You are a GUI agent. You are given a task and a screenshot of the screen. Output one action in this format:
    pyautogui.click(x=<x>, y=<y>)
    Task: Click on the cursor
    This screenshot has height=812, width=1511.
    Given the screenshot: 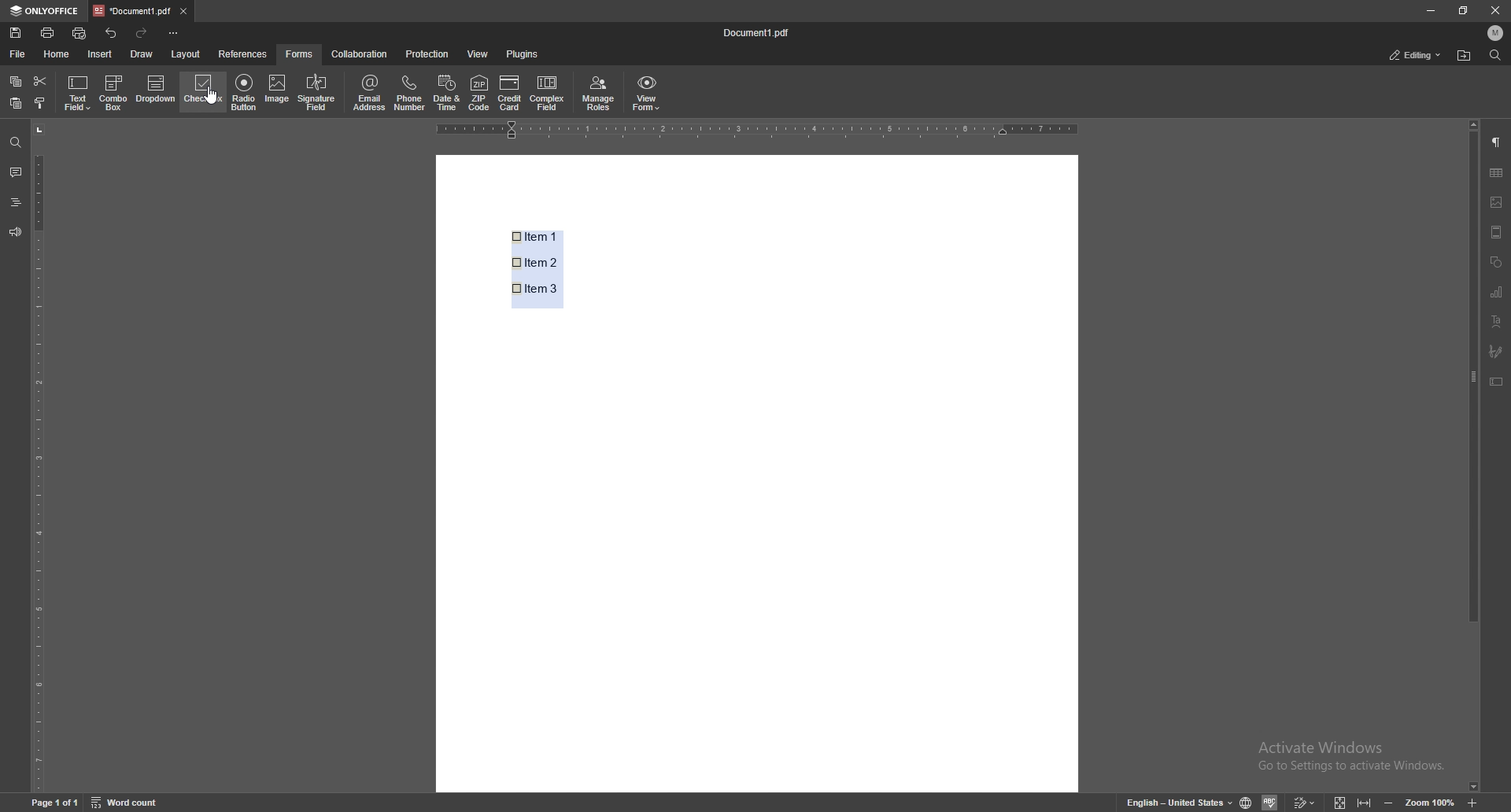 What is the action you would take?
    pyautogui.click(x=220, y=105)
    